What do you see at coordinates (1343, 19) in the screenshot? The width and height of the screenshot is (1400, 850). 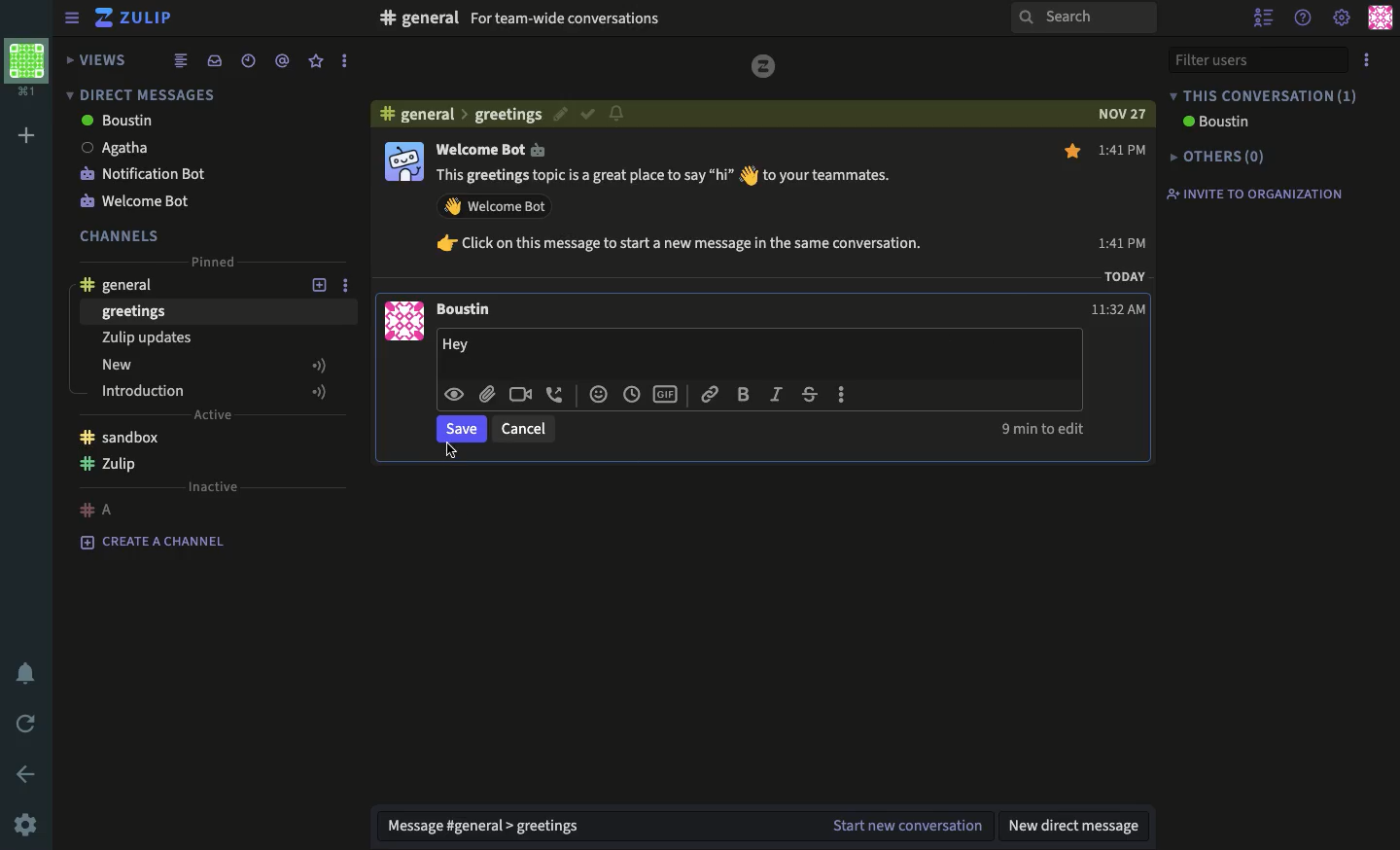 I see `settings` at bounding box center [1343, 19].